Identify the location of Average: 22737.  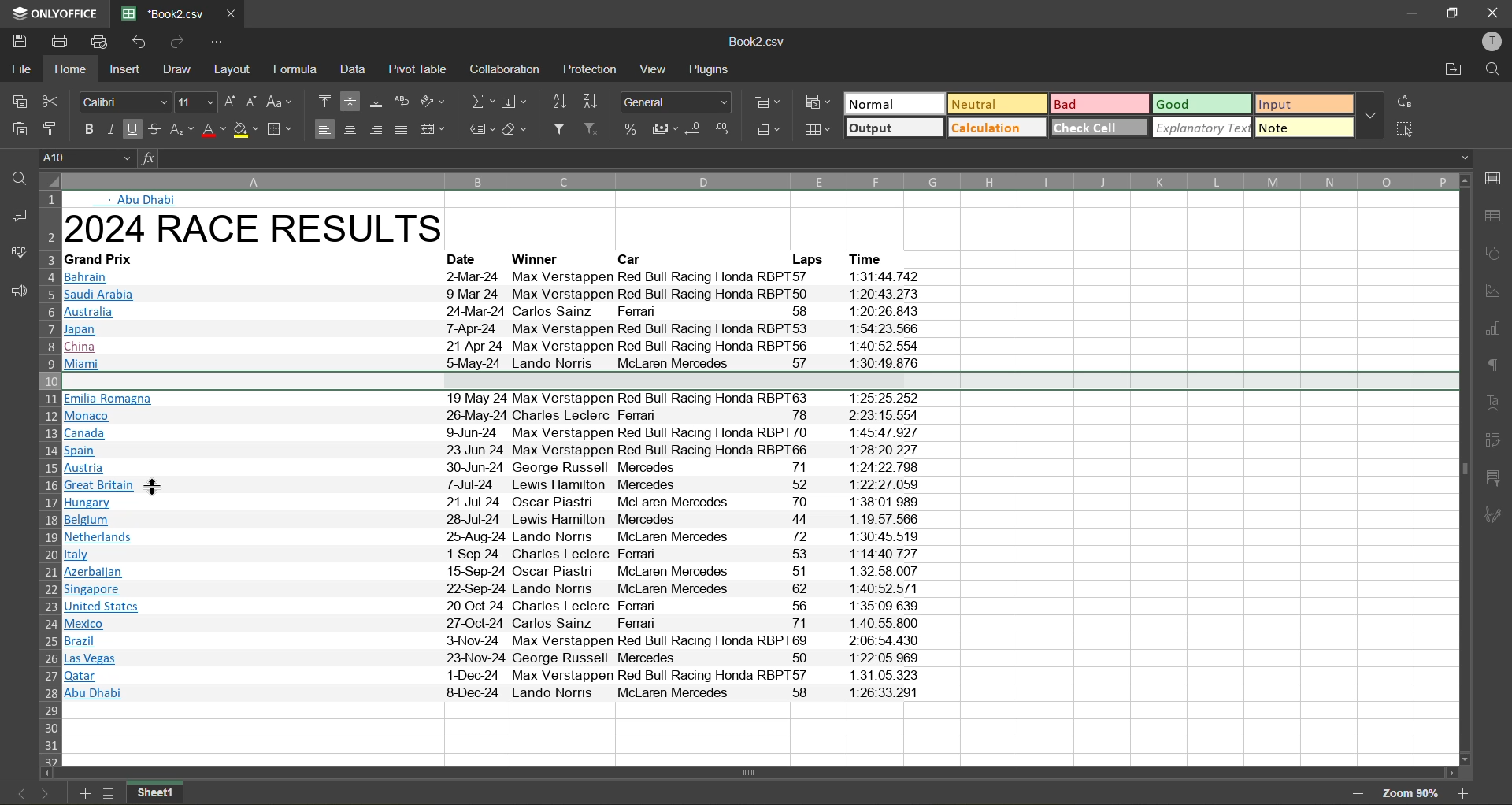
(1044, 793).